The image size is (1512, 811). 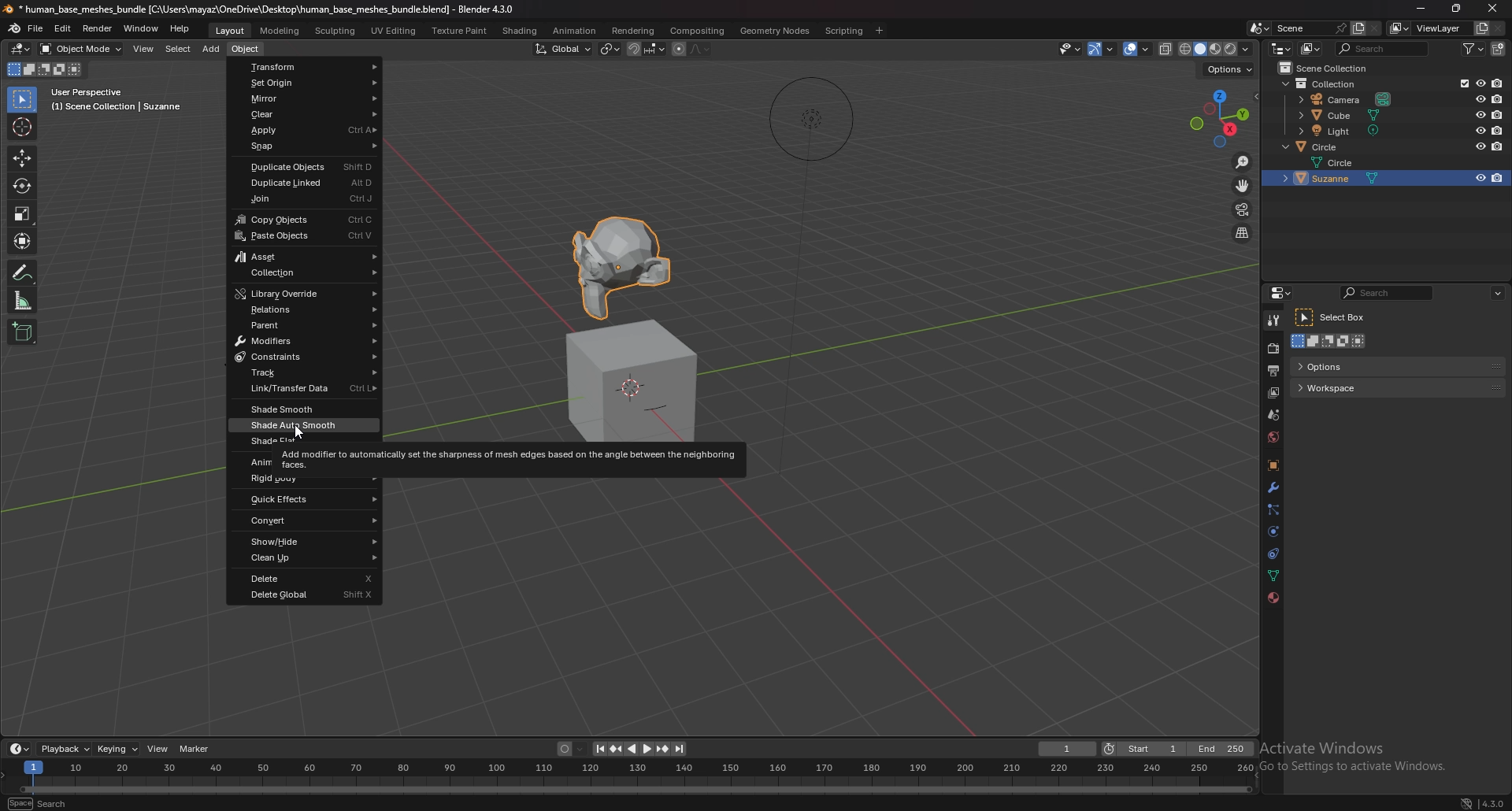 I want to click on output, so click(x=1274, y=371).